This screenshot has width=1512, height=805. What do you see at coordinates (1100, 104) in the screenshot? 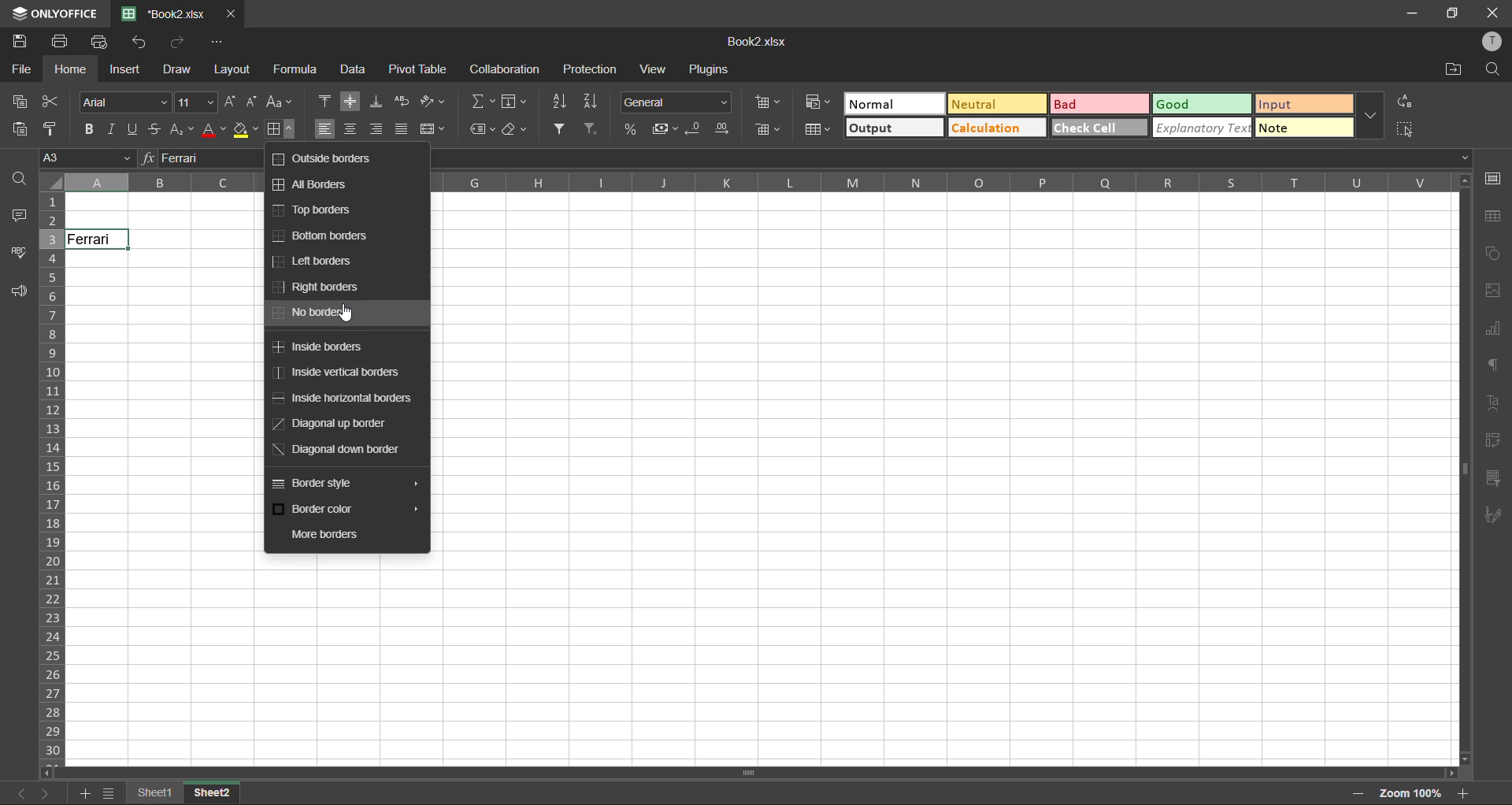
I see `bad` at bounding box center [1100, 104].